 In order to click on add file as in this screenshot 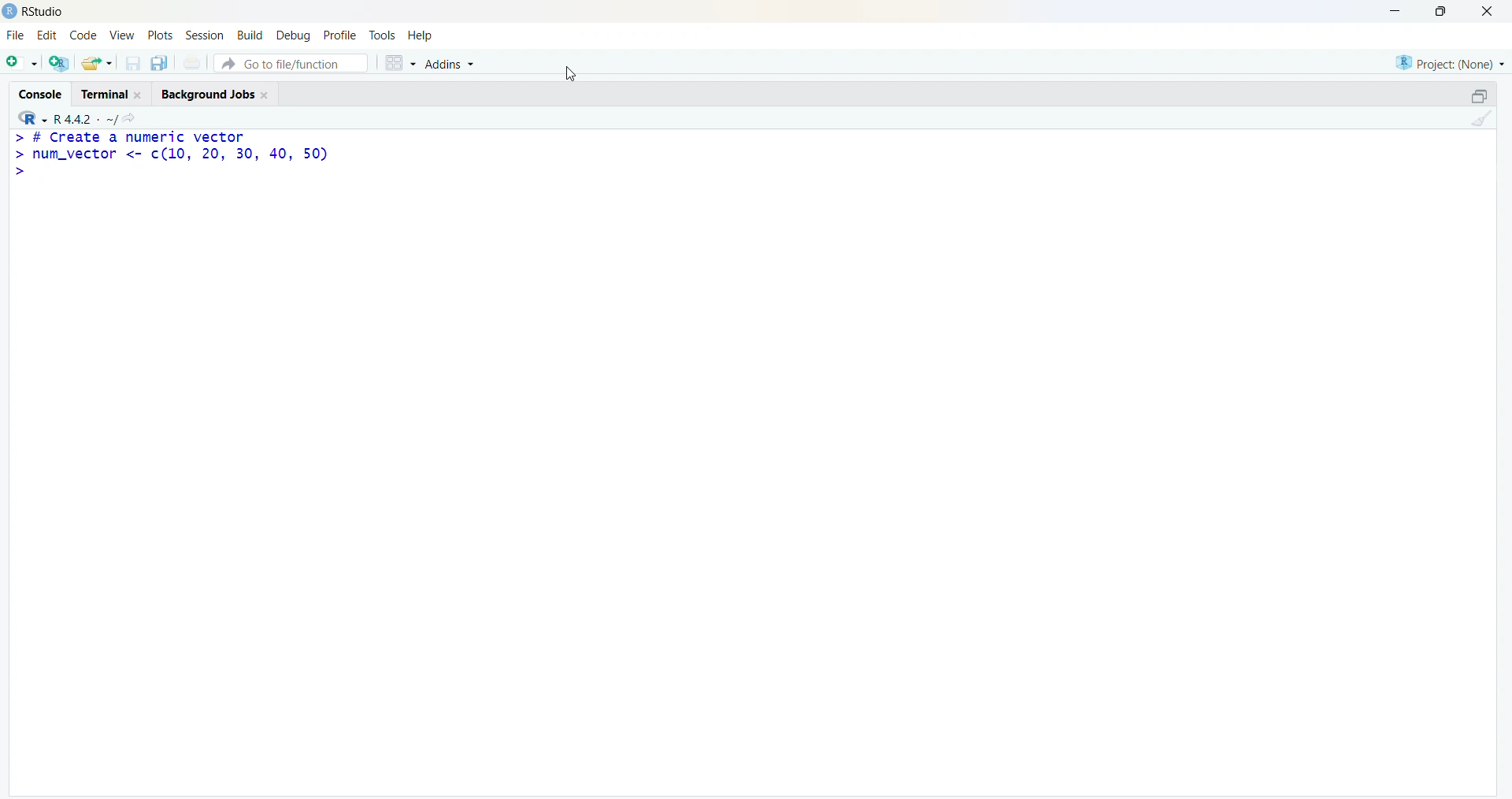, I will do `click(24, 63)`.